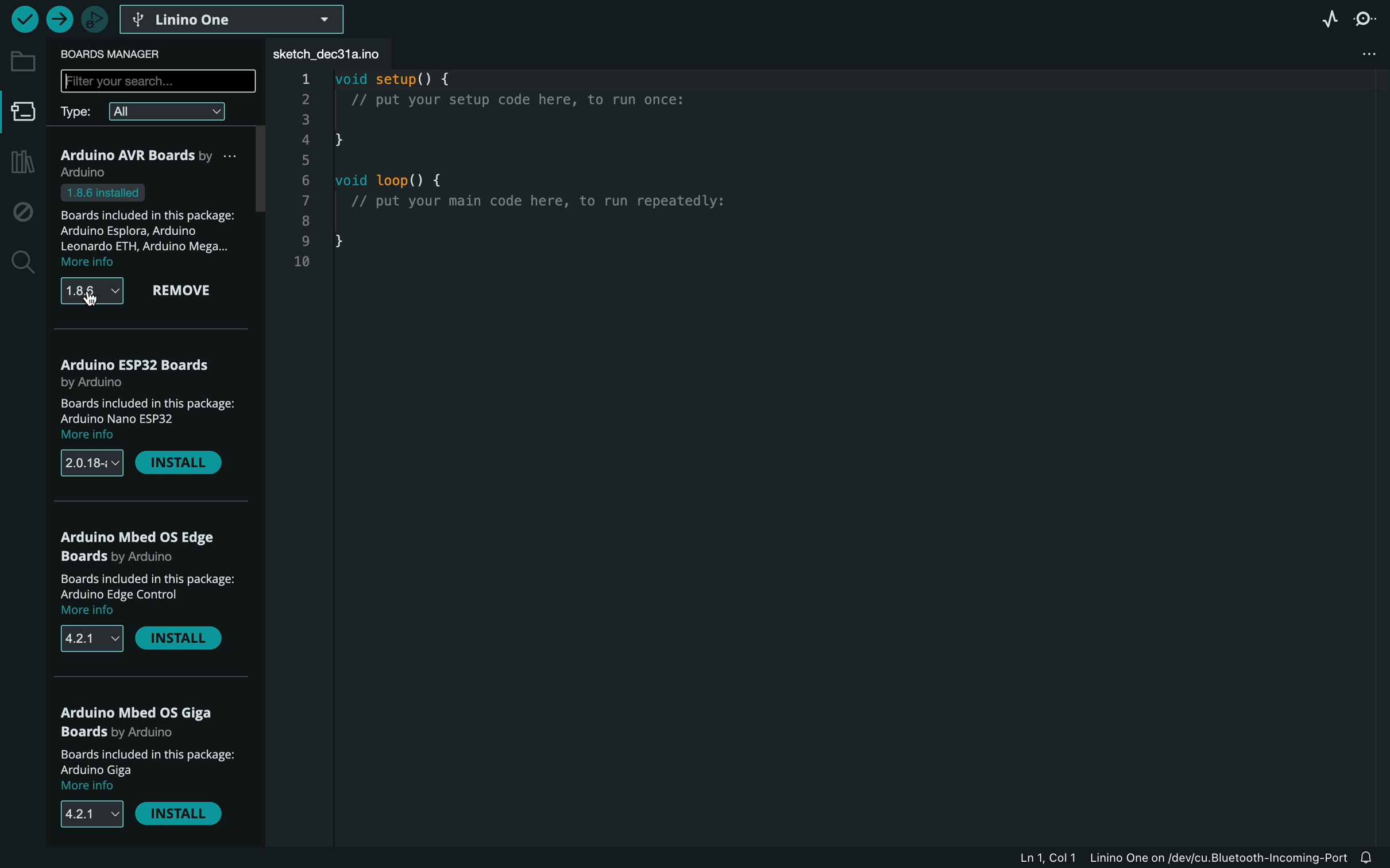  Describe the element at coordinates (24, 115) in the screenshot. I see `board manager` at that location.